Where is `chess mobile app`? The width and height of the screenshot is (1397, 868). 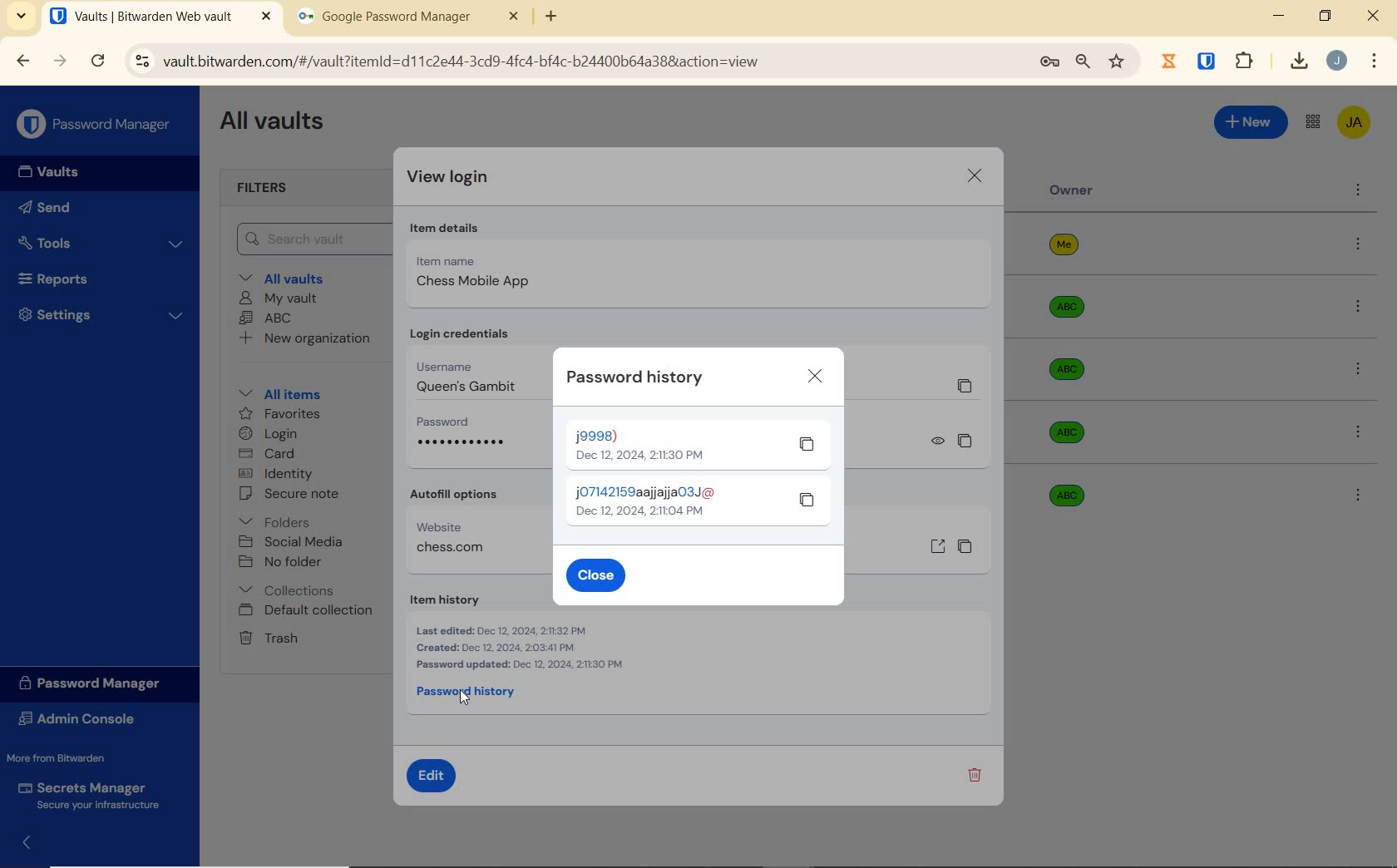
chess mobile app is located at coordinates (475, 283).